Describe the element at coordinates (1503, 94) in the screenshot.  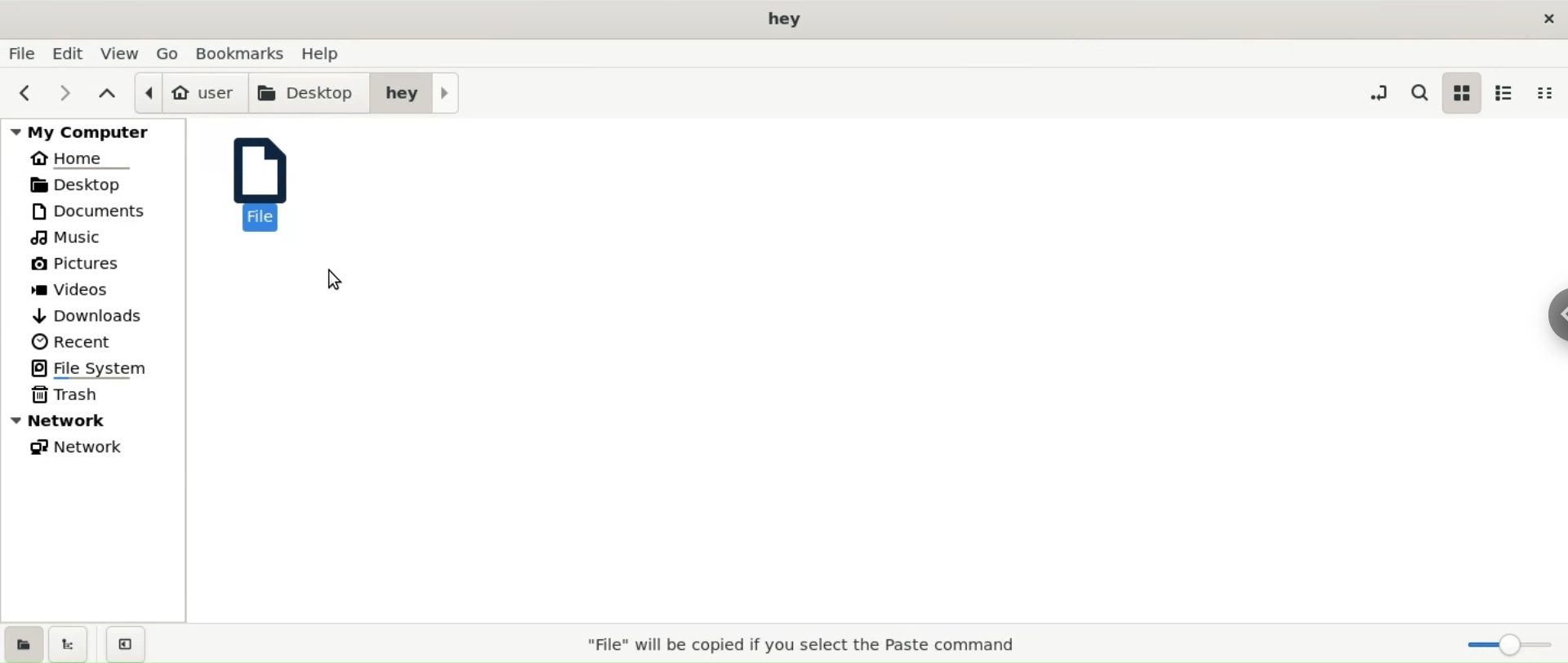
I see `list view` at that location.